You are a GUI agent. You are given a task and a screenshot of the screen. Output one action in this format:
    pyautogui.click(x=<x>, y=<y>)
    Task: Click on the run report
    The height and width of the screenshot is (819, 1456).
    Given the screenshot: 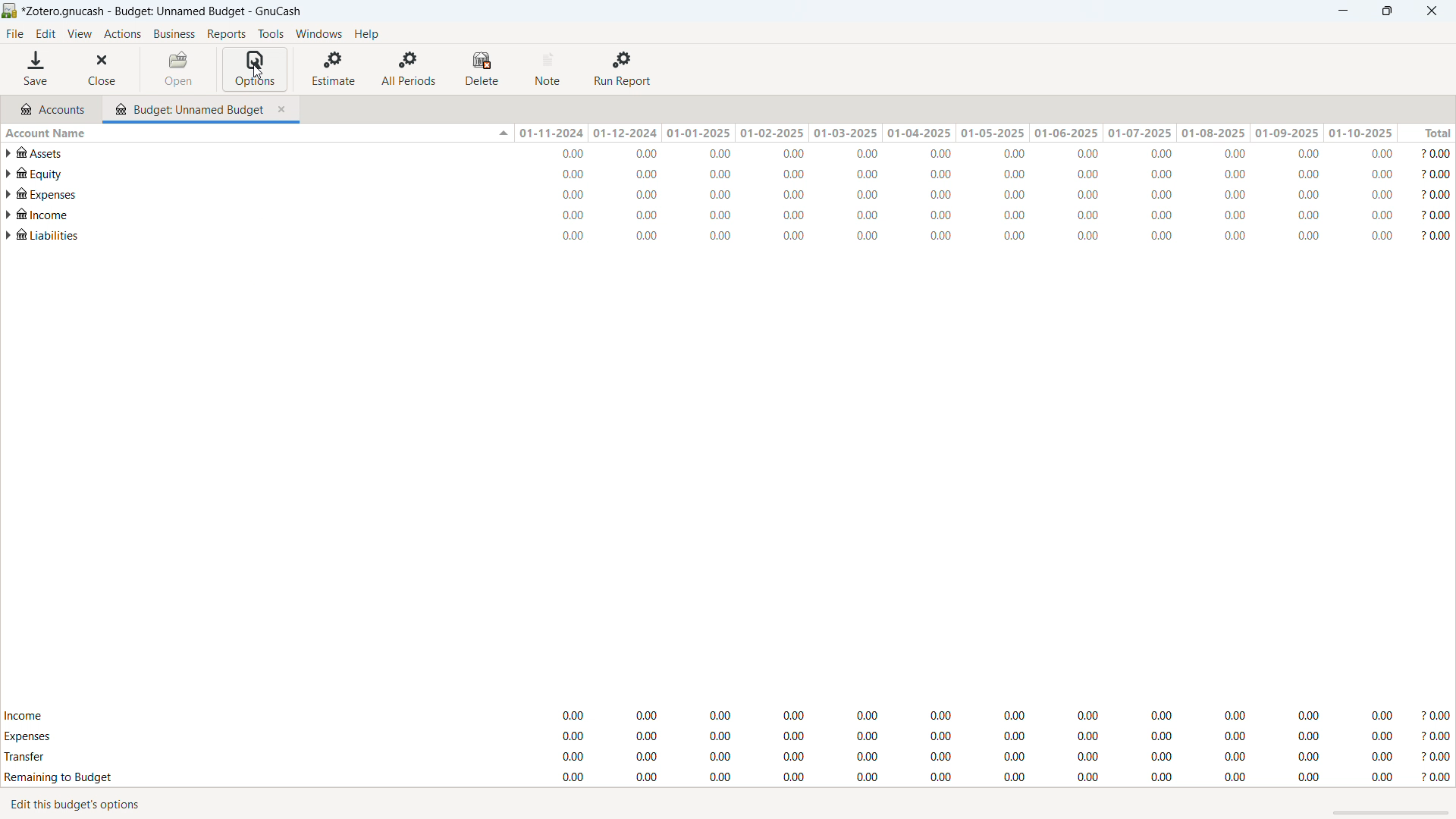 What is the action you would take?
    pyautogui.click(x=624, y=69)
    